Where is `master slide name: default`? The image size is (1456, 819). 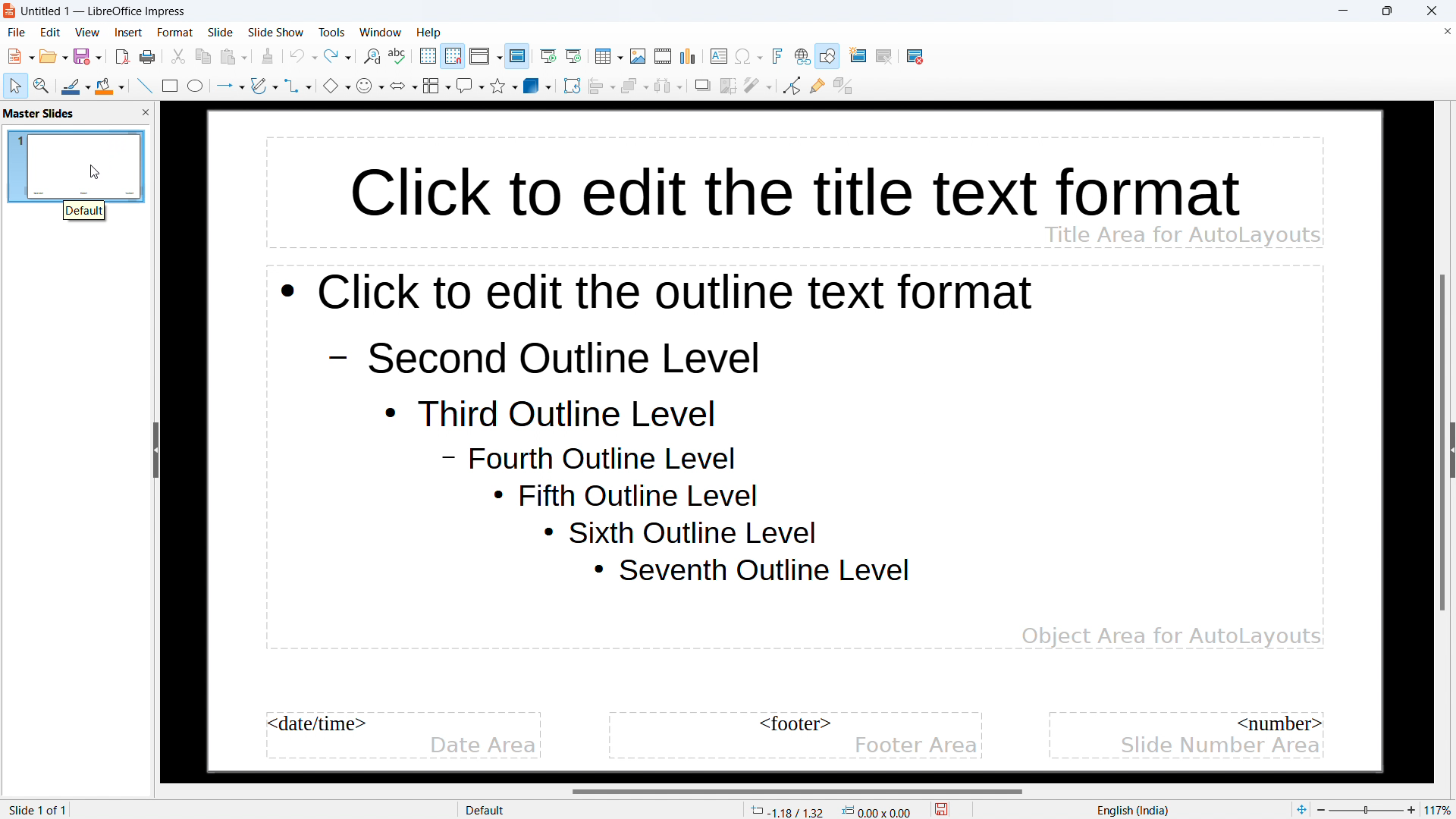
master slide name: default is located at coordinates (76, 164).